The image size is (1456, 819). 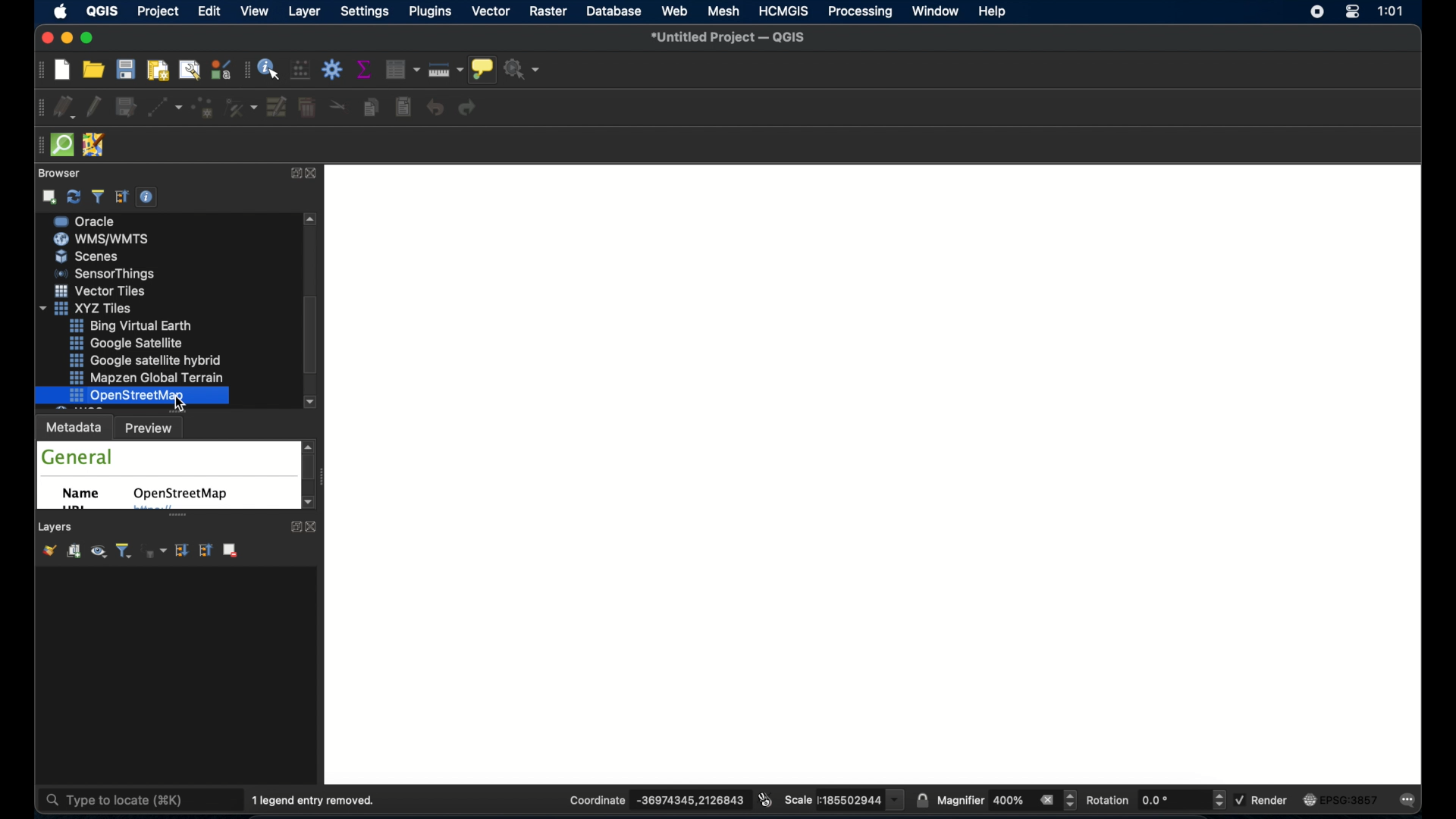 I want to click on new print layout, so click(x=158, y=71).